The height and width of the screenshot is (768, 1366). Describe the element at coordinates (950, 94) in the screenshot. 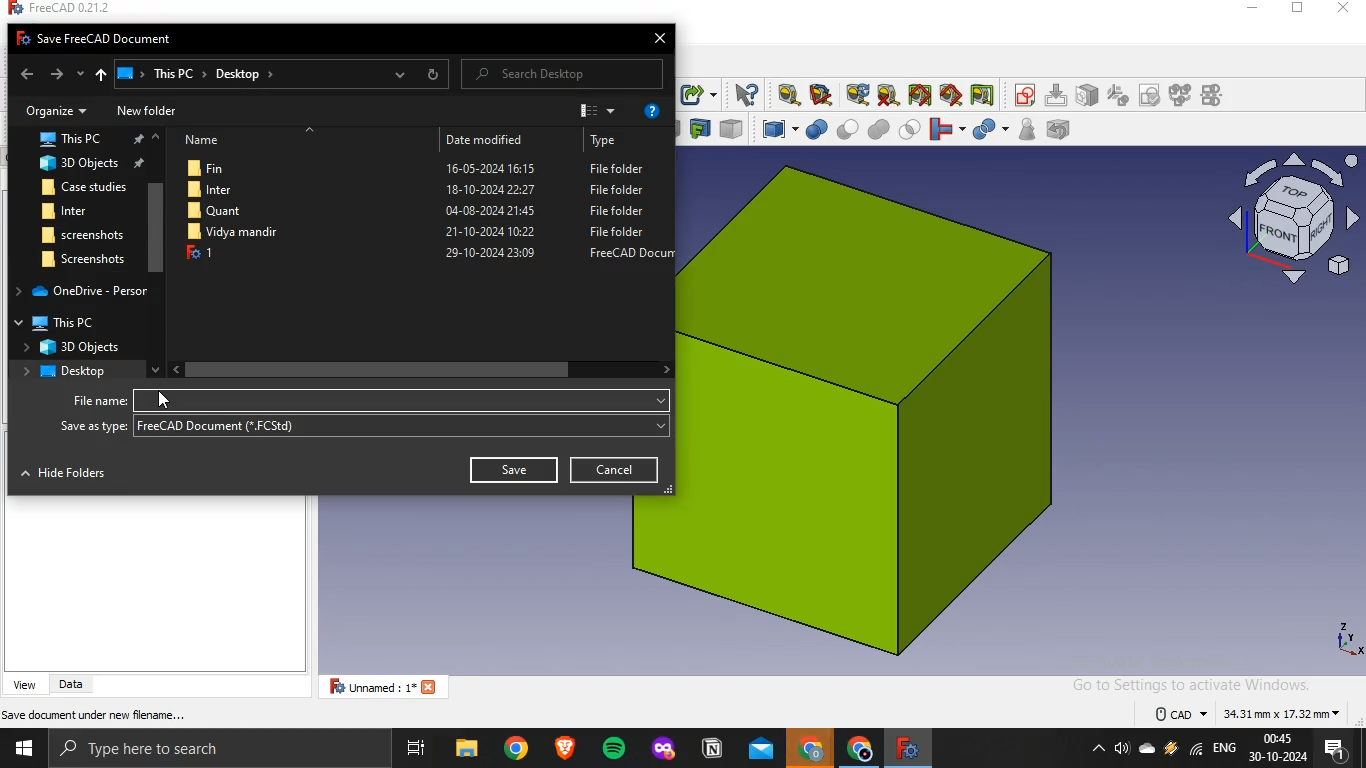

I see `toggle 3d` at that location.